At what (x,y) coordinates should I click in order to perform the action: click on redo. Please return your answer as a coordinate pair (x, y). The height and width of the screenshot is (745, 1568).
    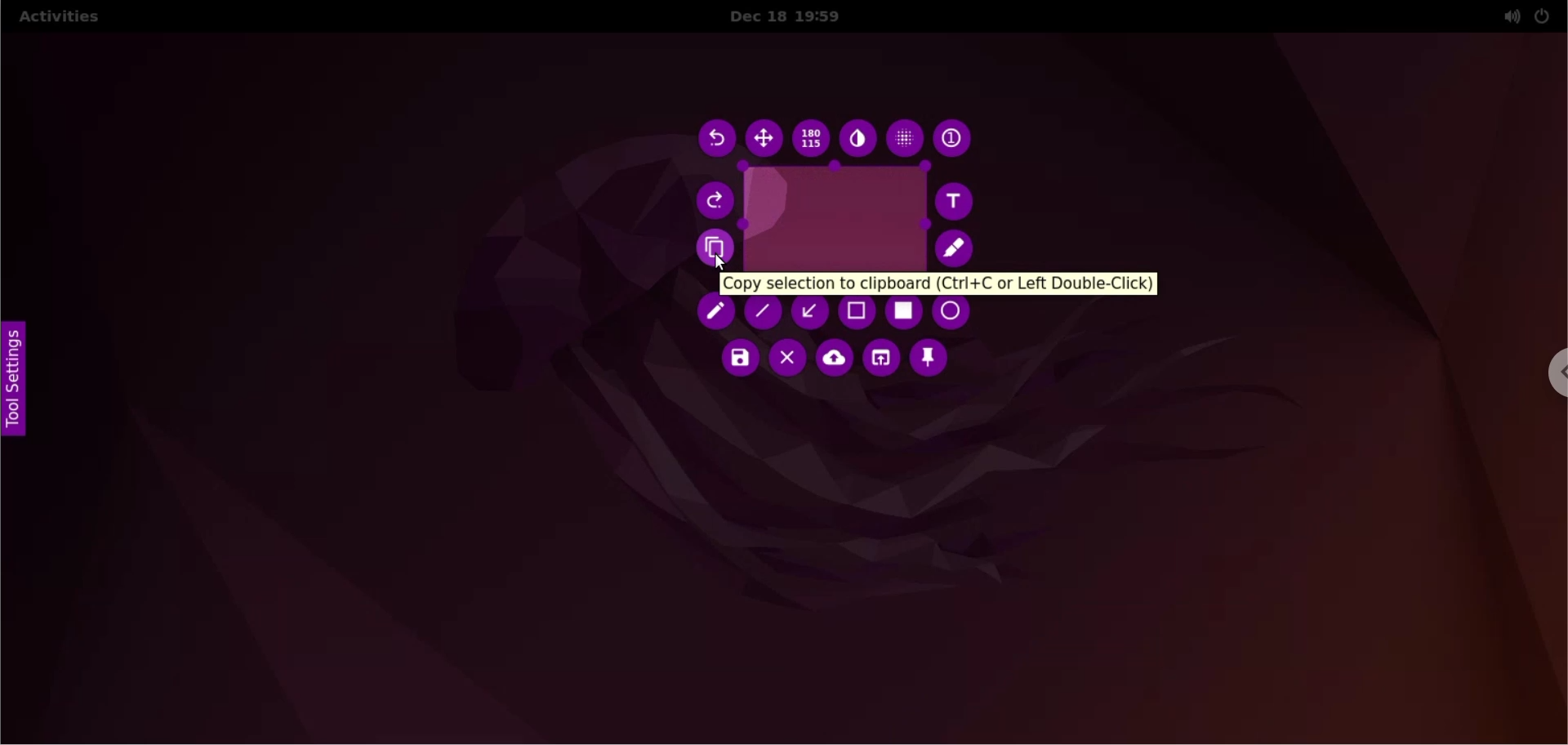
    Looking at the image, I should click on (716, 202).